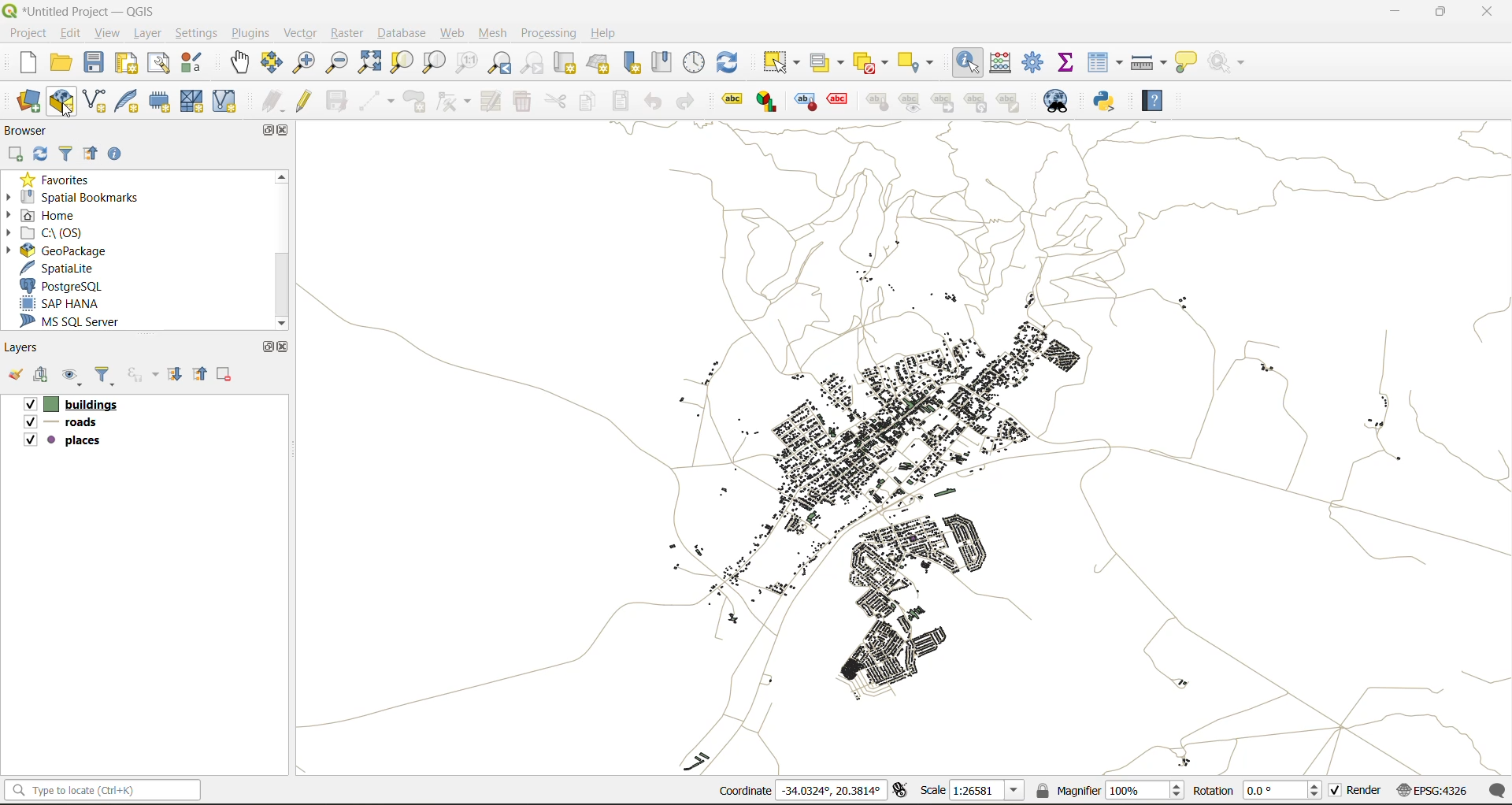 This screenshot has width=1512, height=805. What do you see at coordinates (802, 102) in the screenshot?
I see `style` at bounding box center [802, 102].